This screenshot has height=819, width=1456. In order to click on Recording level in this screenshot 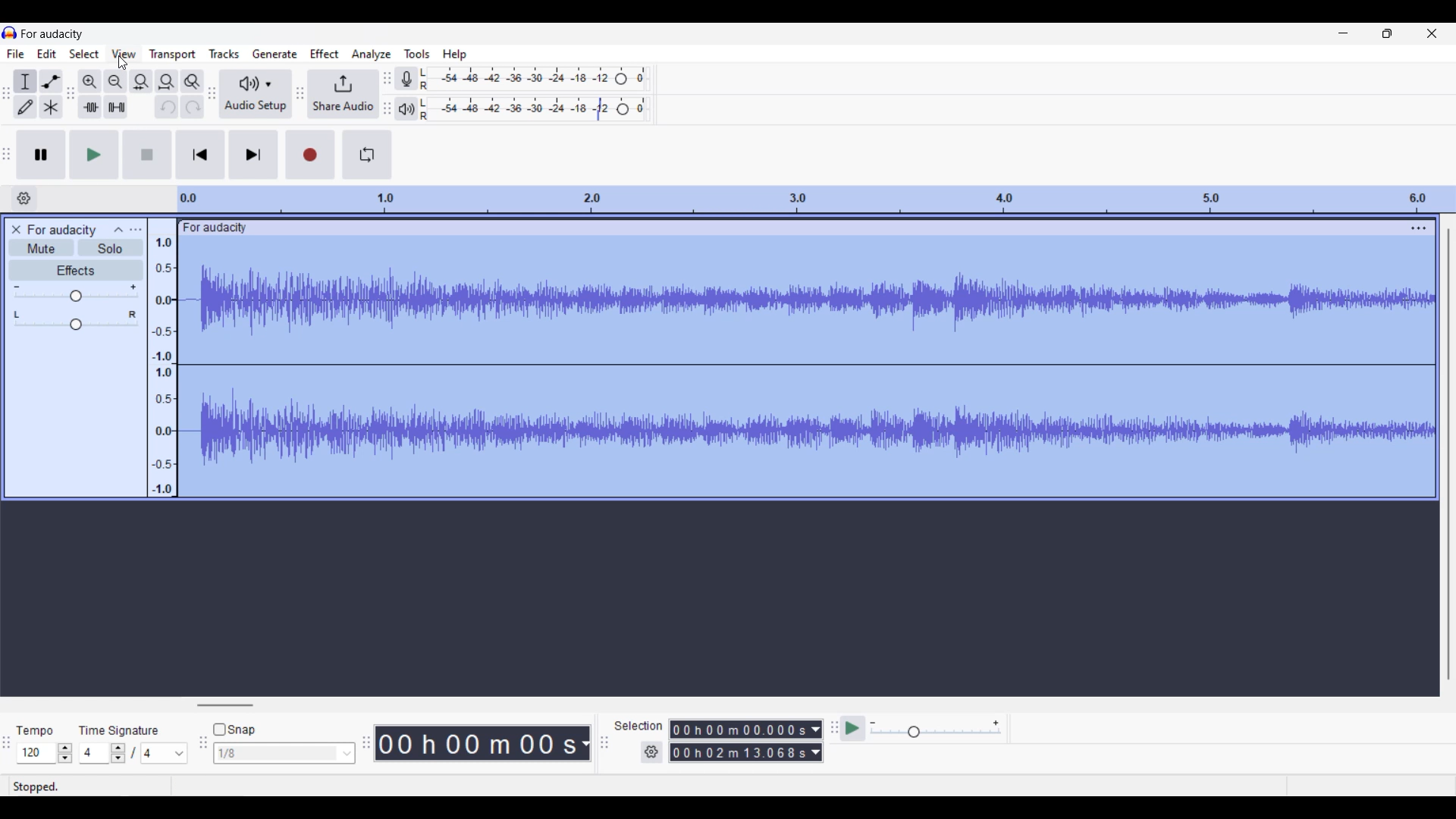, I will do `click(533, 79)`.